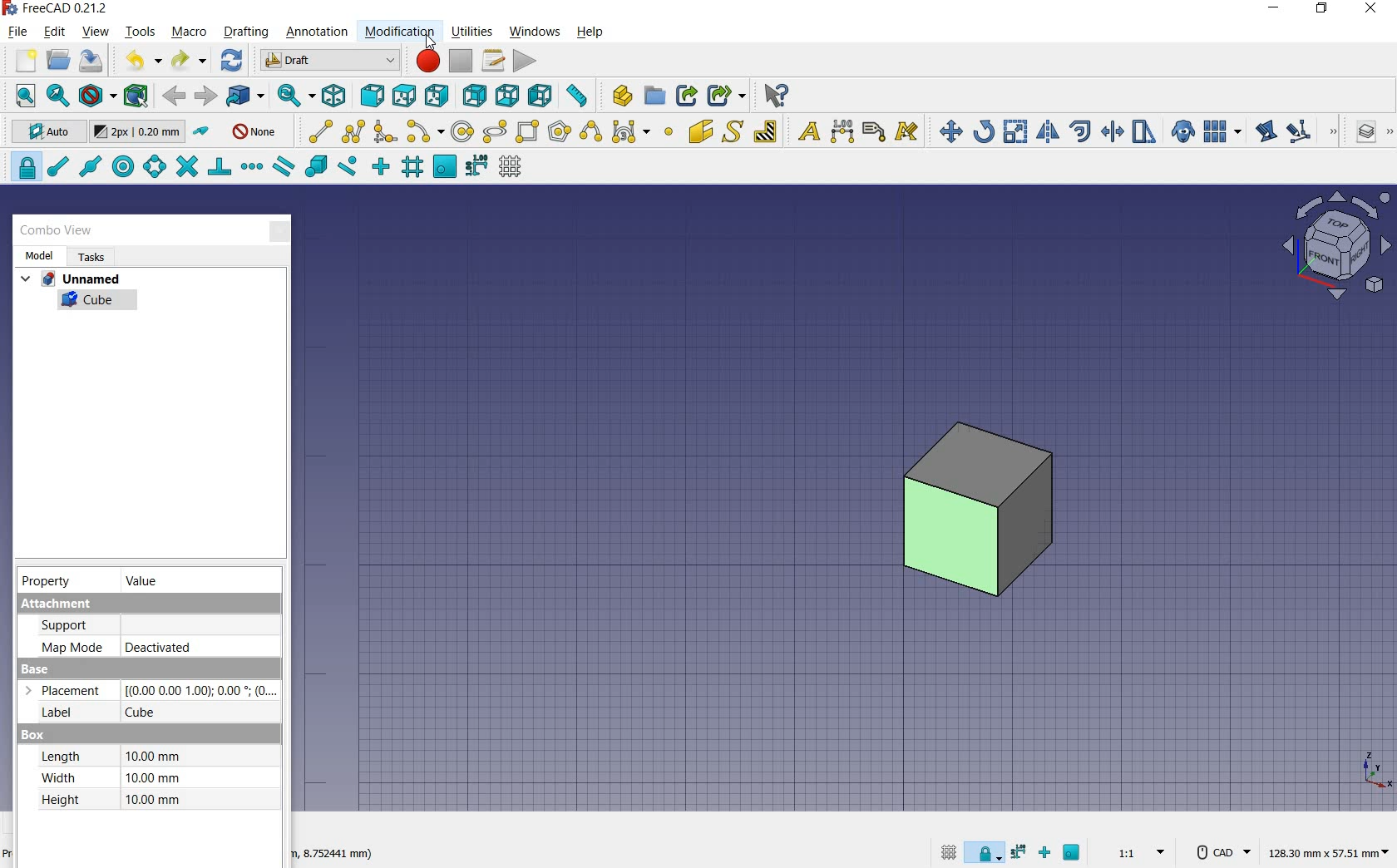 This screenshot has width=1397, height=868. What do you see at coordinates (806, 131) in the screenshot?
I see `text` at bounding box center [806, 131].